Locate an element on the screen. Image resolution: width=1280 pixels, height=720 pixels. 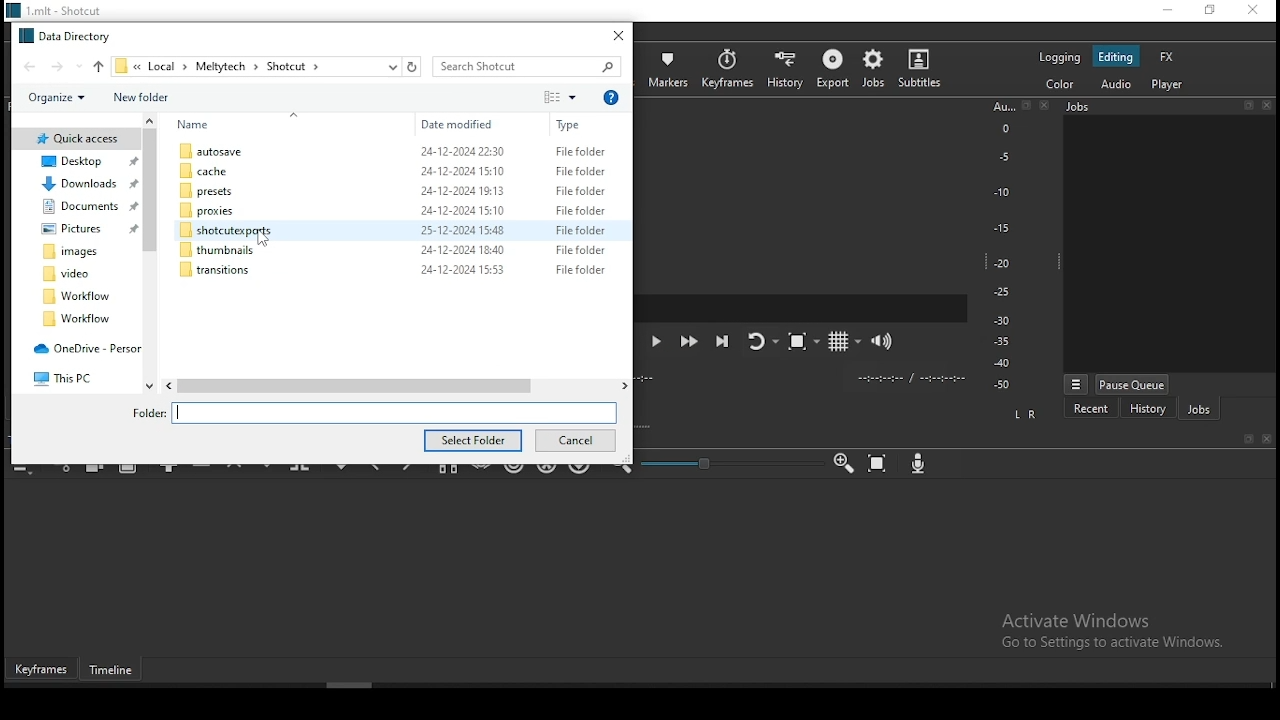
jobs is located at coordinates (1198, 408).